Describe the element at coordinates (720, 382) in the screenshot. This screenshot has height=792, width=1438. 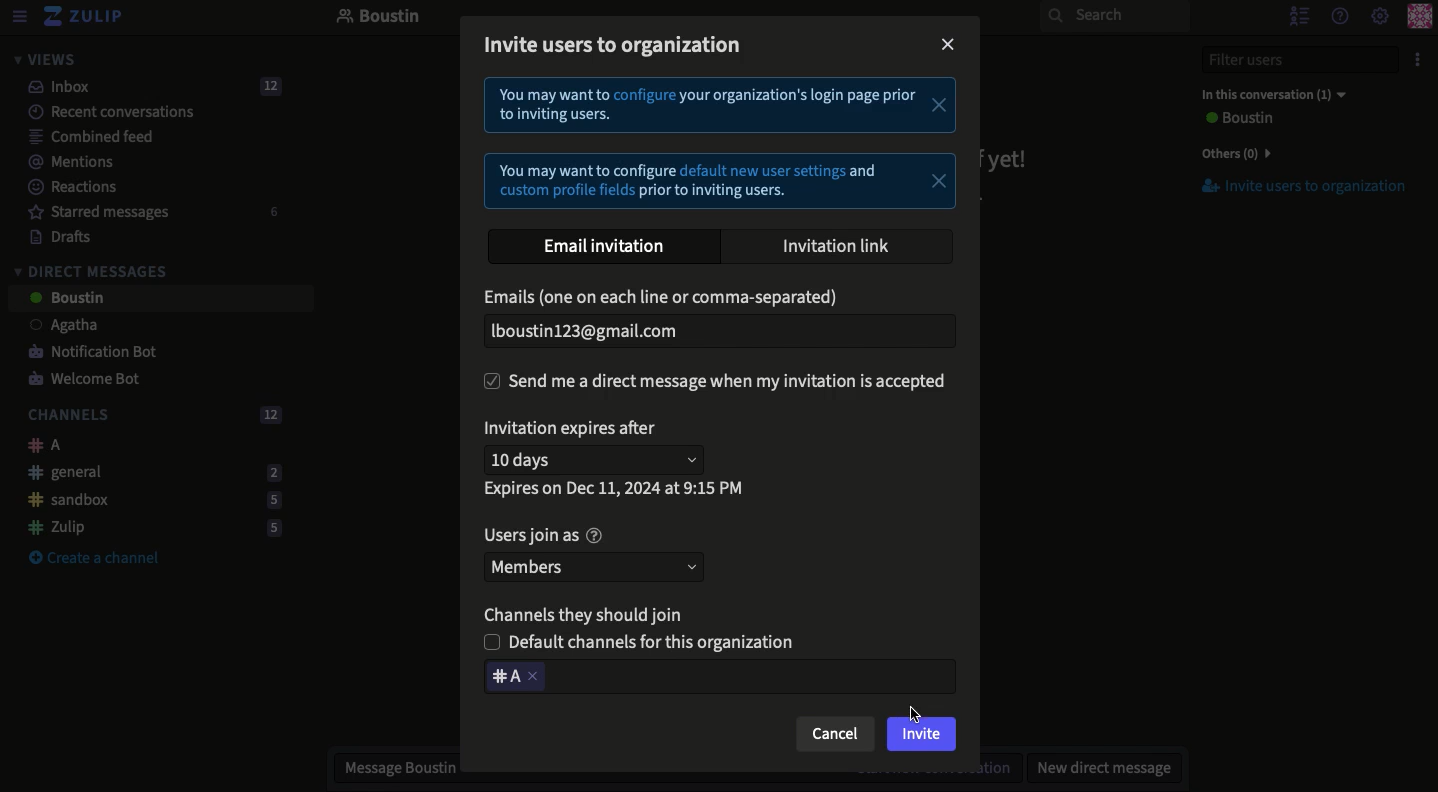
I see `Send DM when invitation is accepted` at that location.